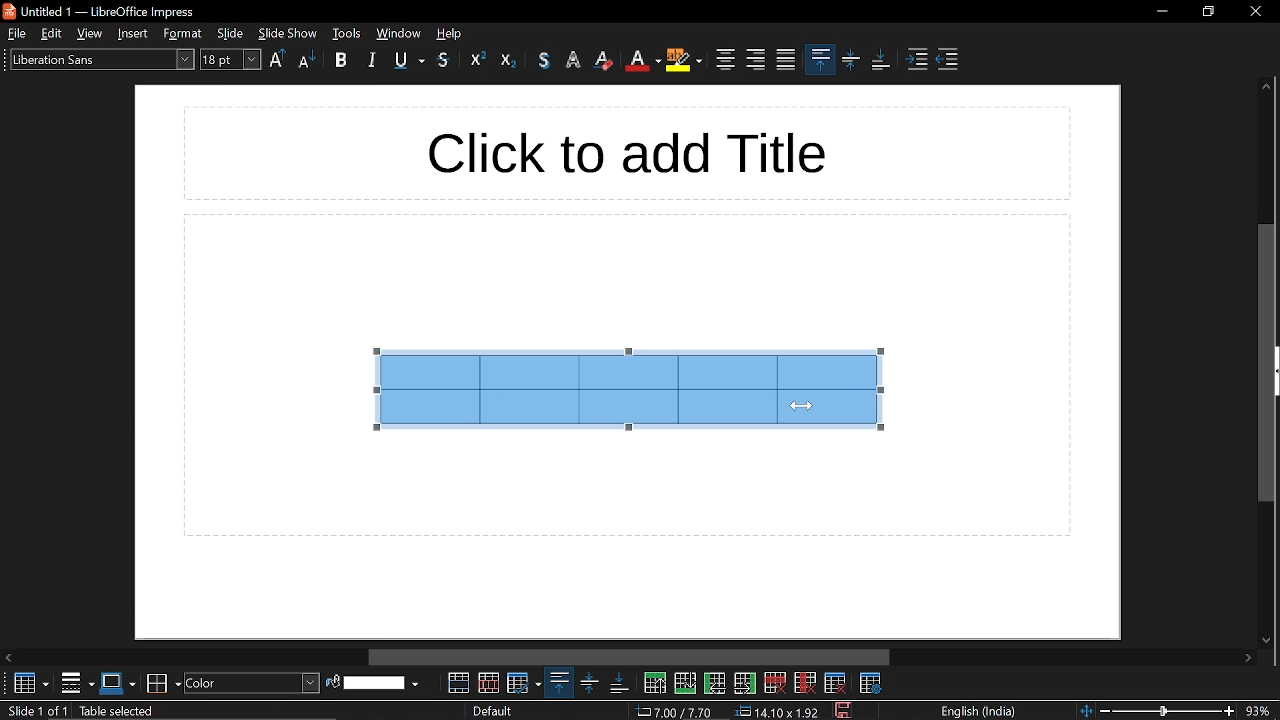  What do you see at coordinates (102, 11) in the screenshot?
I see `untitled 1 - libreoffice impress` at bounding box center [102, 11].